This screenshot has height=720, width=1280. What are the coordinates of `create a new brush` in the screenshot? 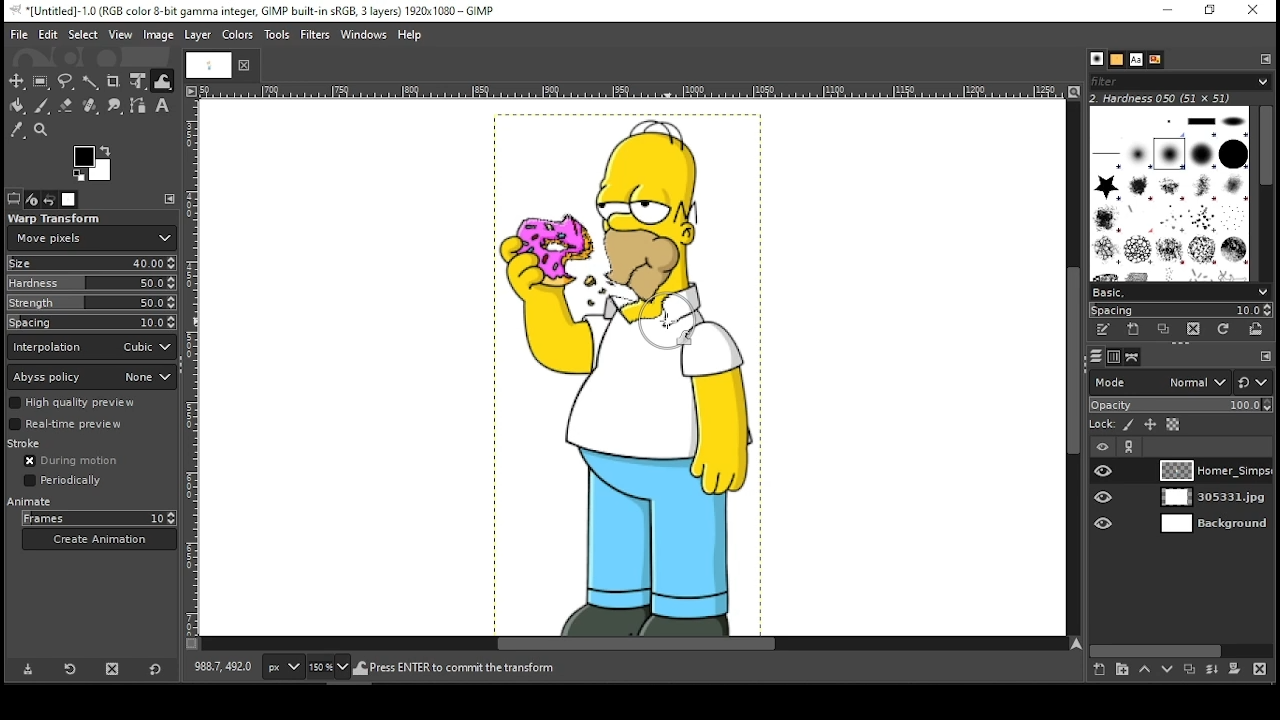 It's located at (1135, 330).